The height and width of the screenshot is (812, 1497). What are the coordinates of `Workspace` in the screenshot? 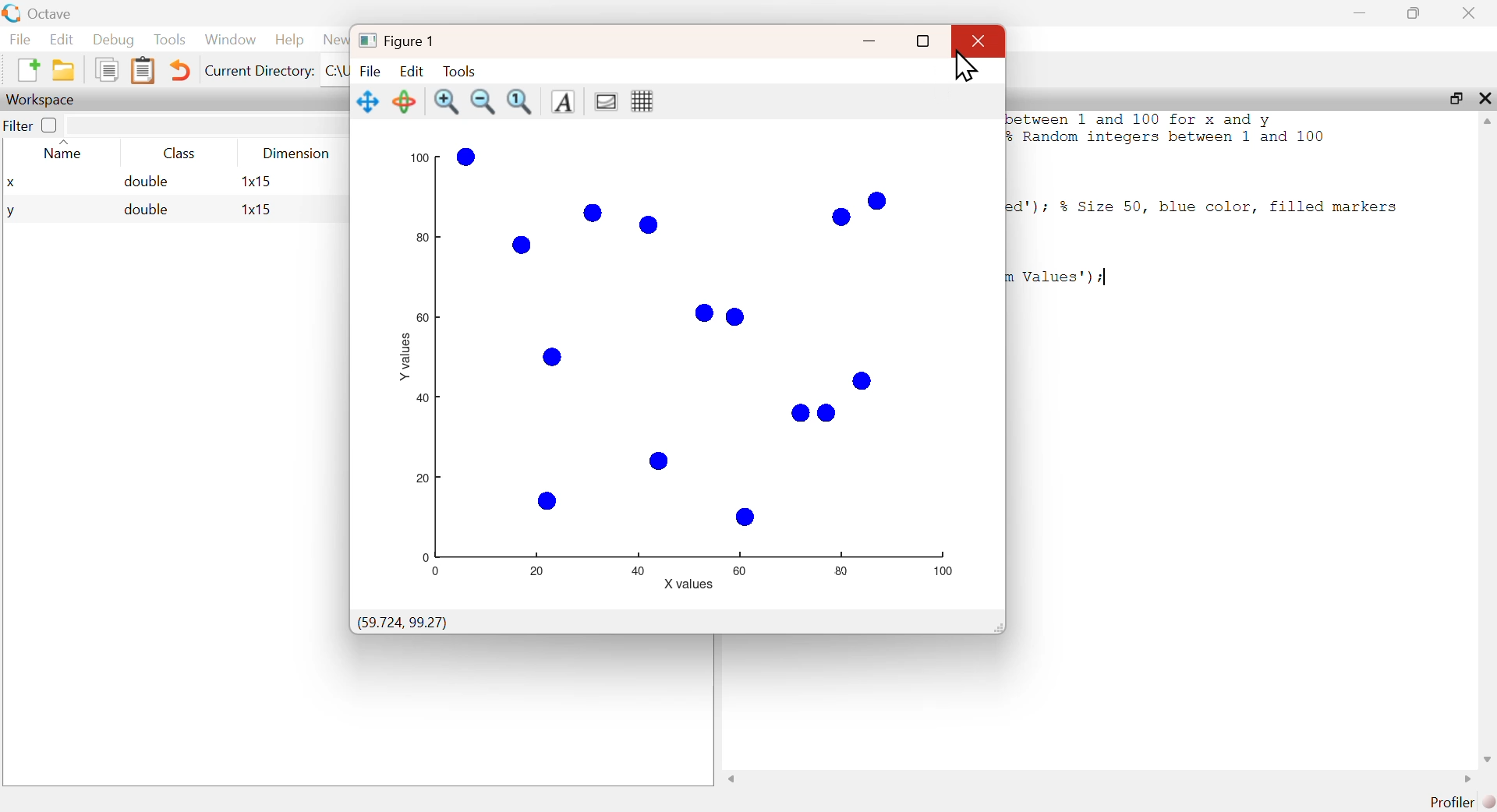 It's located at (44, 99).